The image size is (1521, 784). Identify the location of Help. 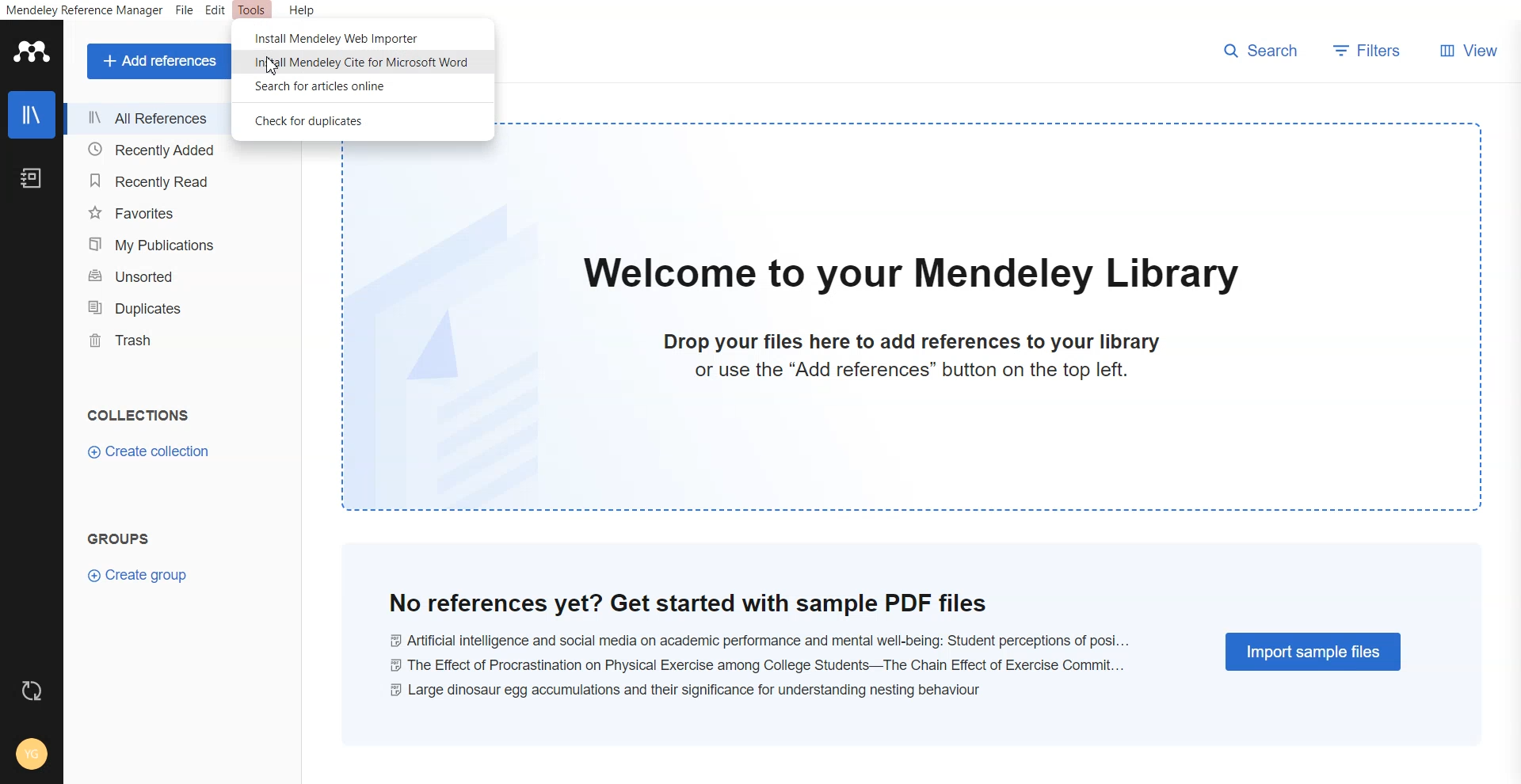
(300, 10).